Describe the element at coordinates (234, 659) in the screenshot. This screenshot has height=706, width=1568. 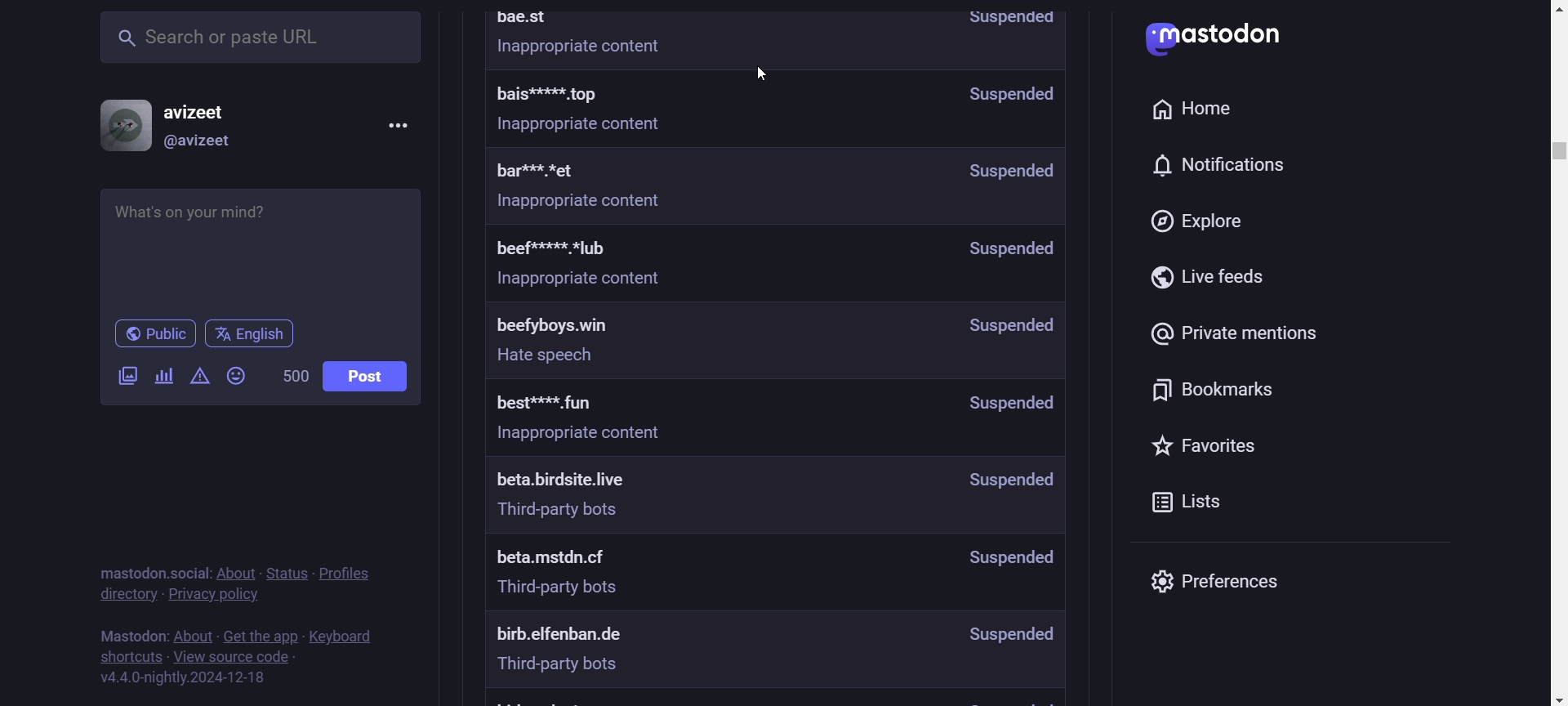
I see `view source code` at that location.